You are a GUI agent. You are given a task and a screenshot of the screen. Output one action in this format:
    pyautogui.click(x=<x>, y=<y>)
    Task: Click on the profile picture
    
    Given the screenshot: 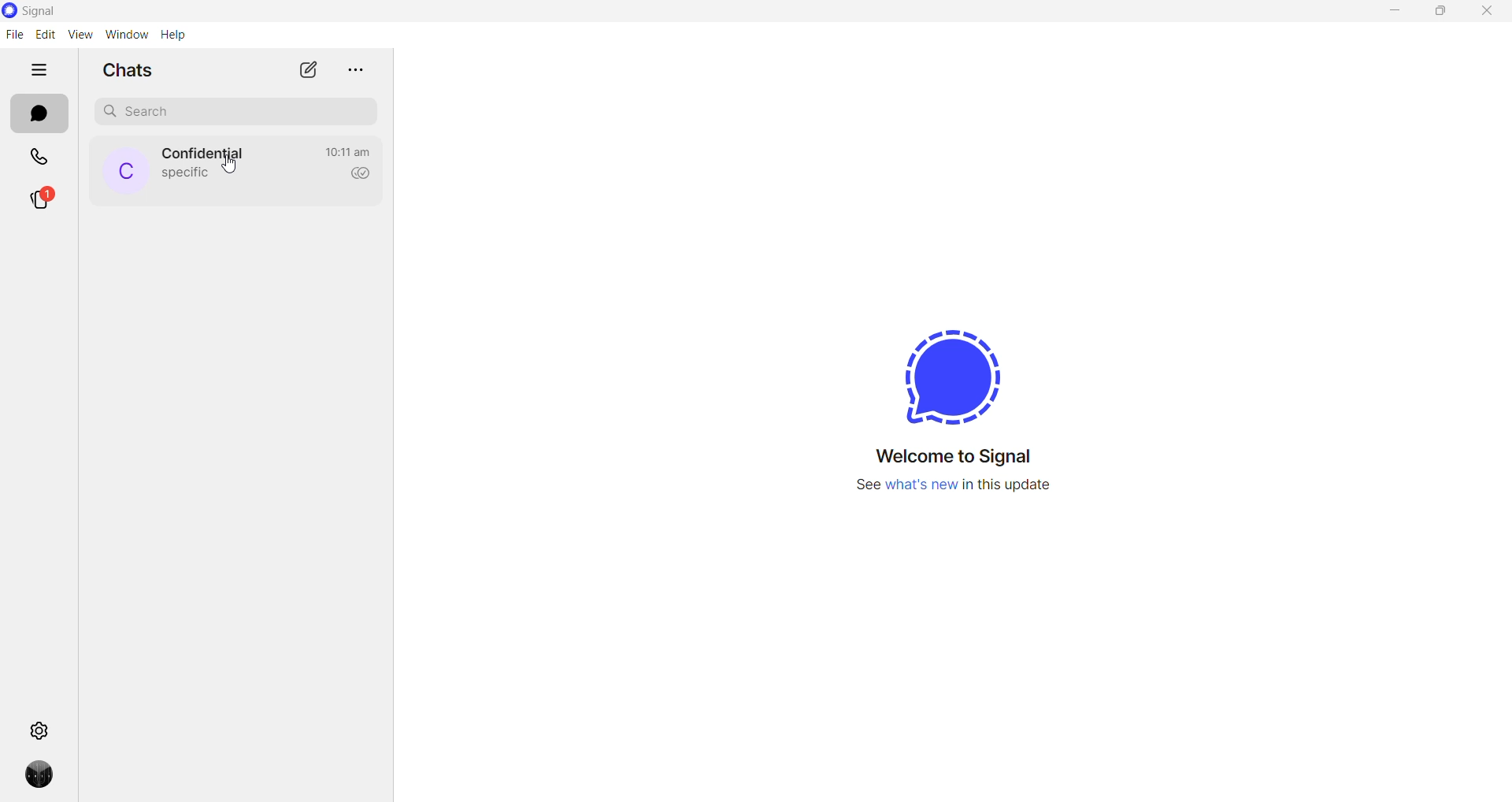 What is the action you would take?
    pyautogui.click(x=124, y=171)
    